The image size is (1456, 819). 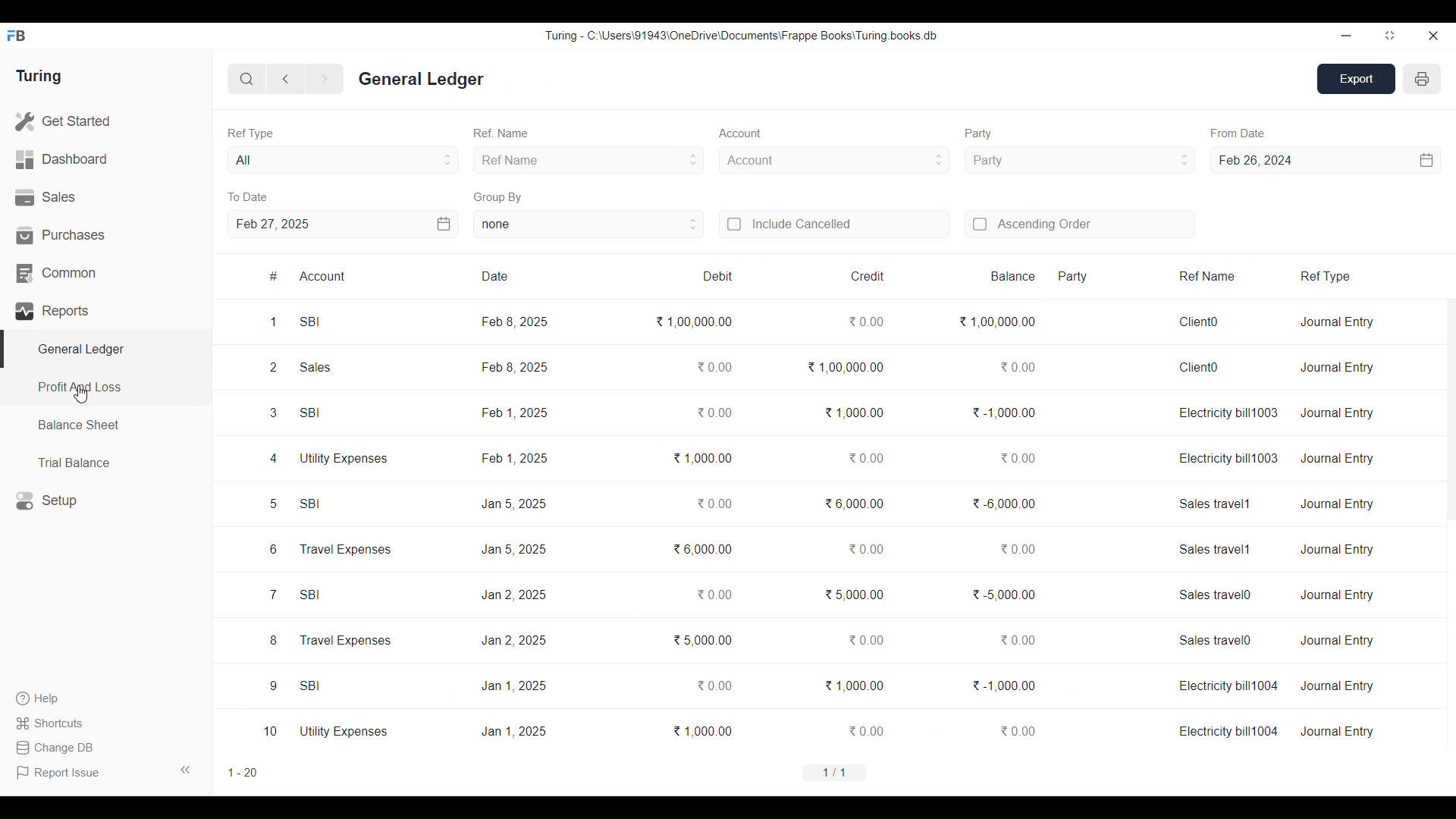 I want to click on Include Cancelled, so click(x=834, y=224).